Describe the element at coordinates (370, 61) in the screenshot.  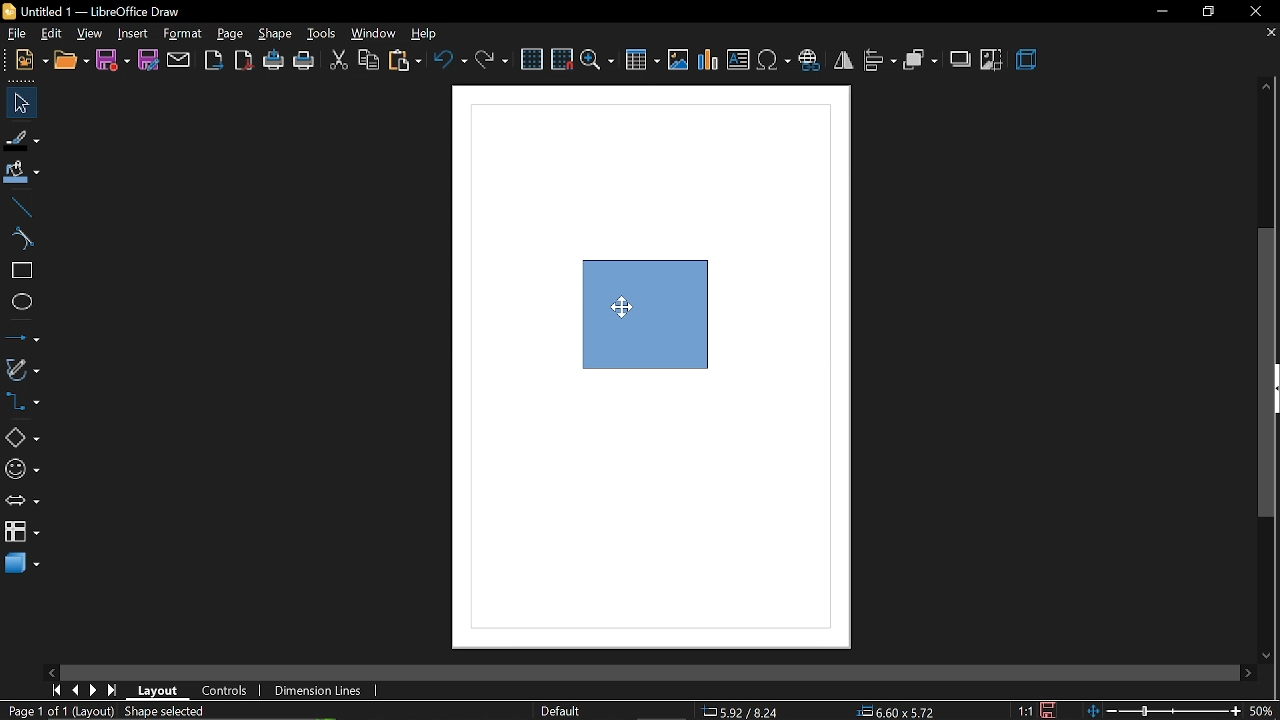
I see `copy` at that location.